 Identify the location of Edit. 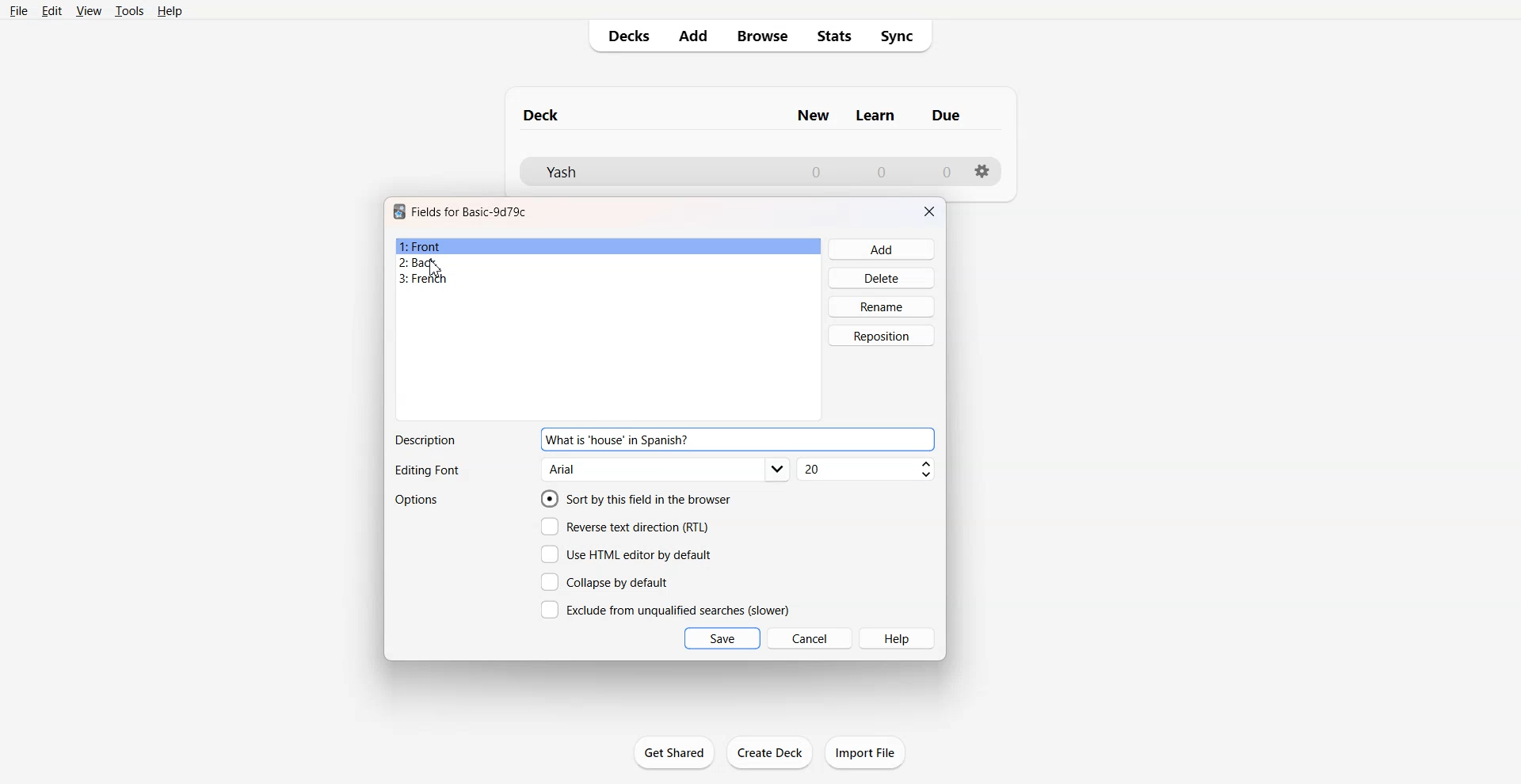
(51, 11).